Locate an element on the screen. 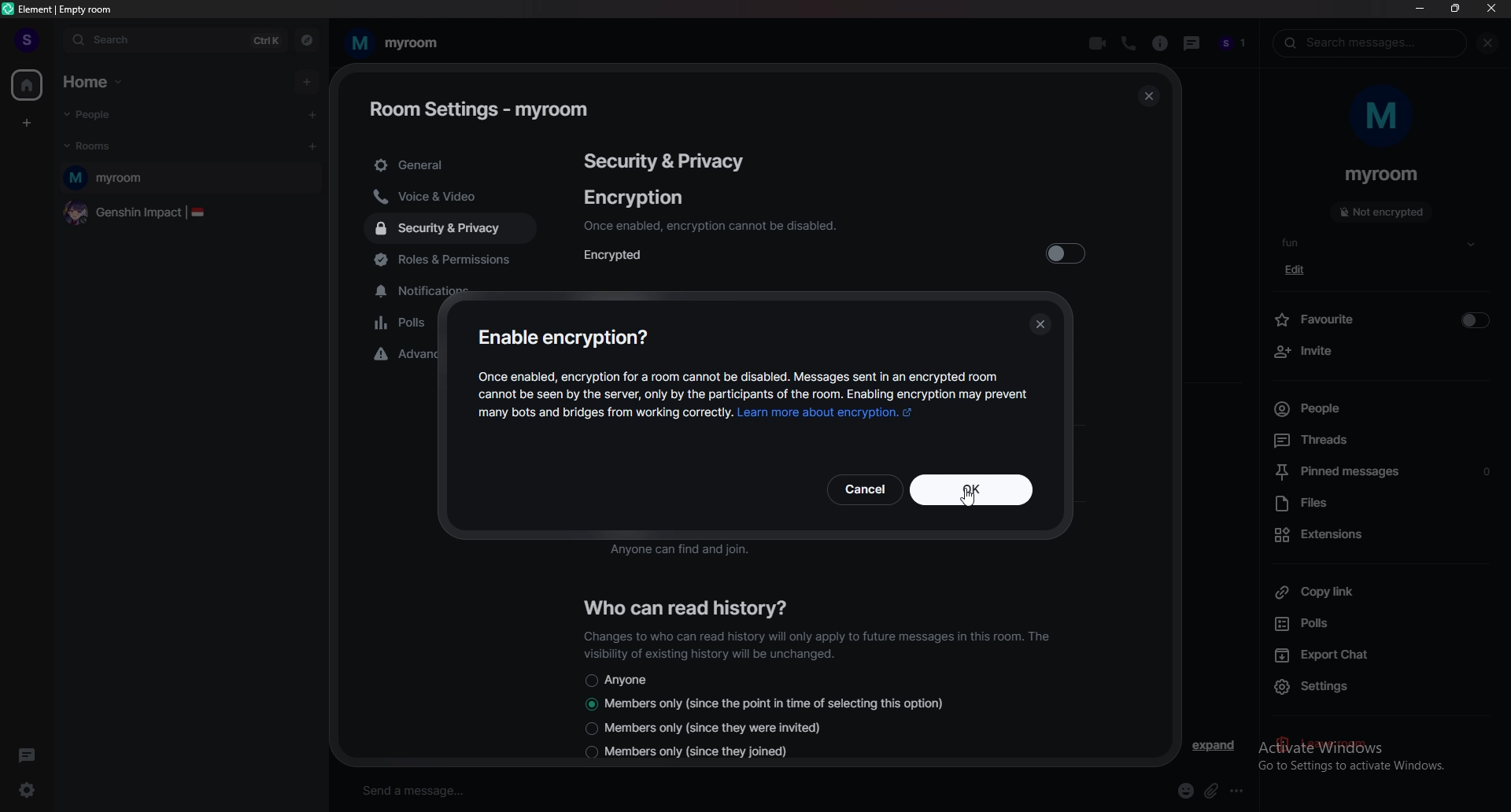 This screenshot has height=812, width=1511. start chat is located at coordinates (314, 116).